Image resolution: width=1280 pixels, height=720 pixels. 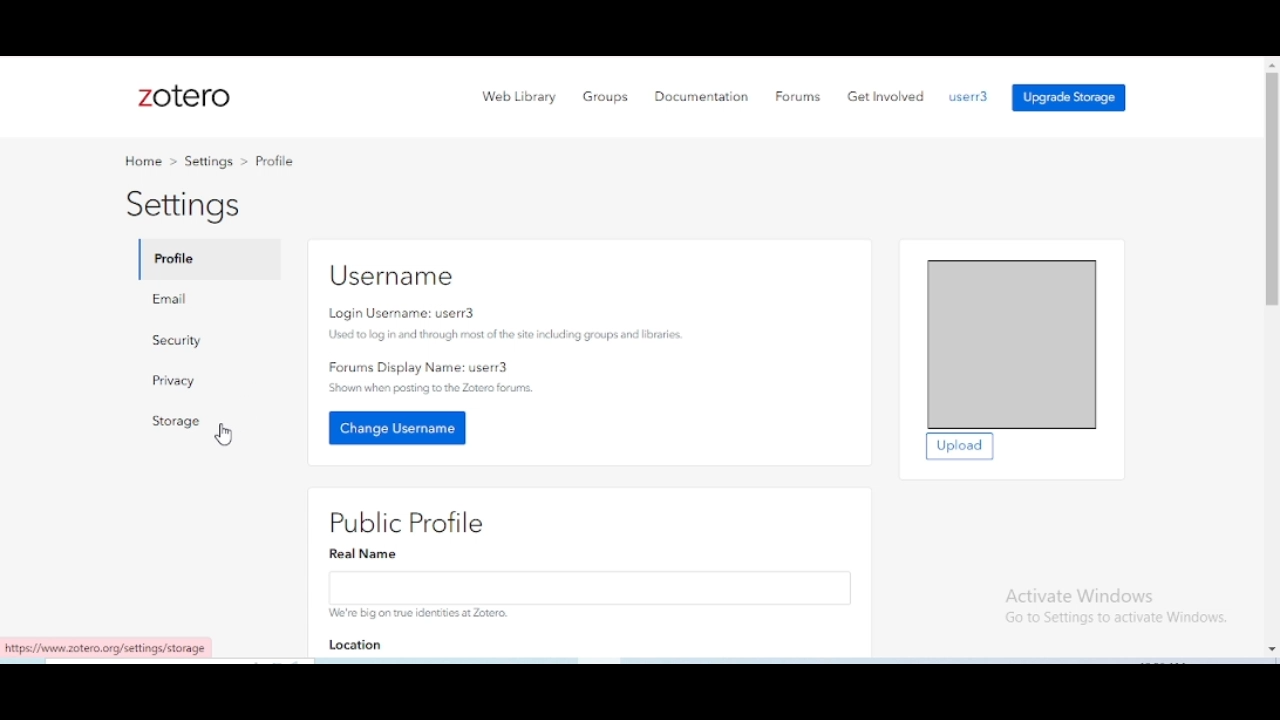 What do you see at coordinates (606, 97) in the screenshot?
I see `groups` at bounding box center [606, 97].